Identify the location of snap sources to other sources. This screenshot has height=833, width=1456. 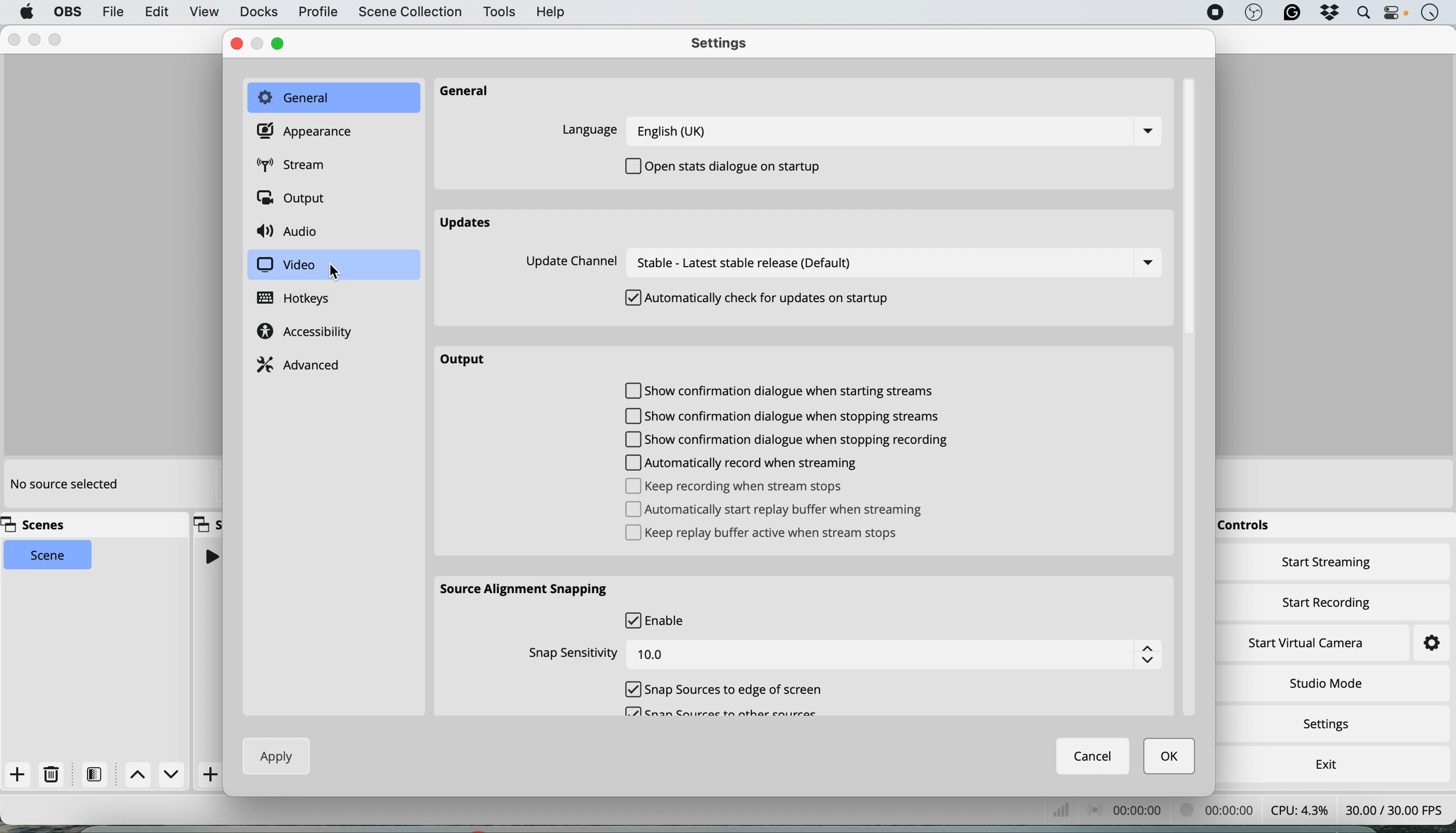
(723, 715).